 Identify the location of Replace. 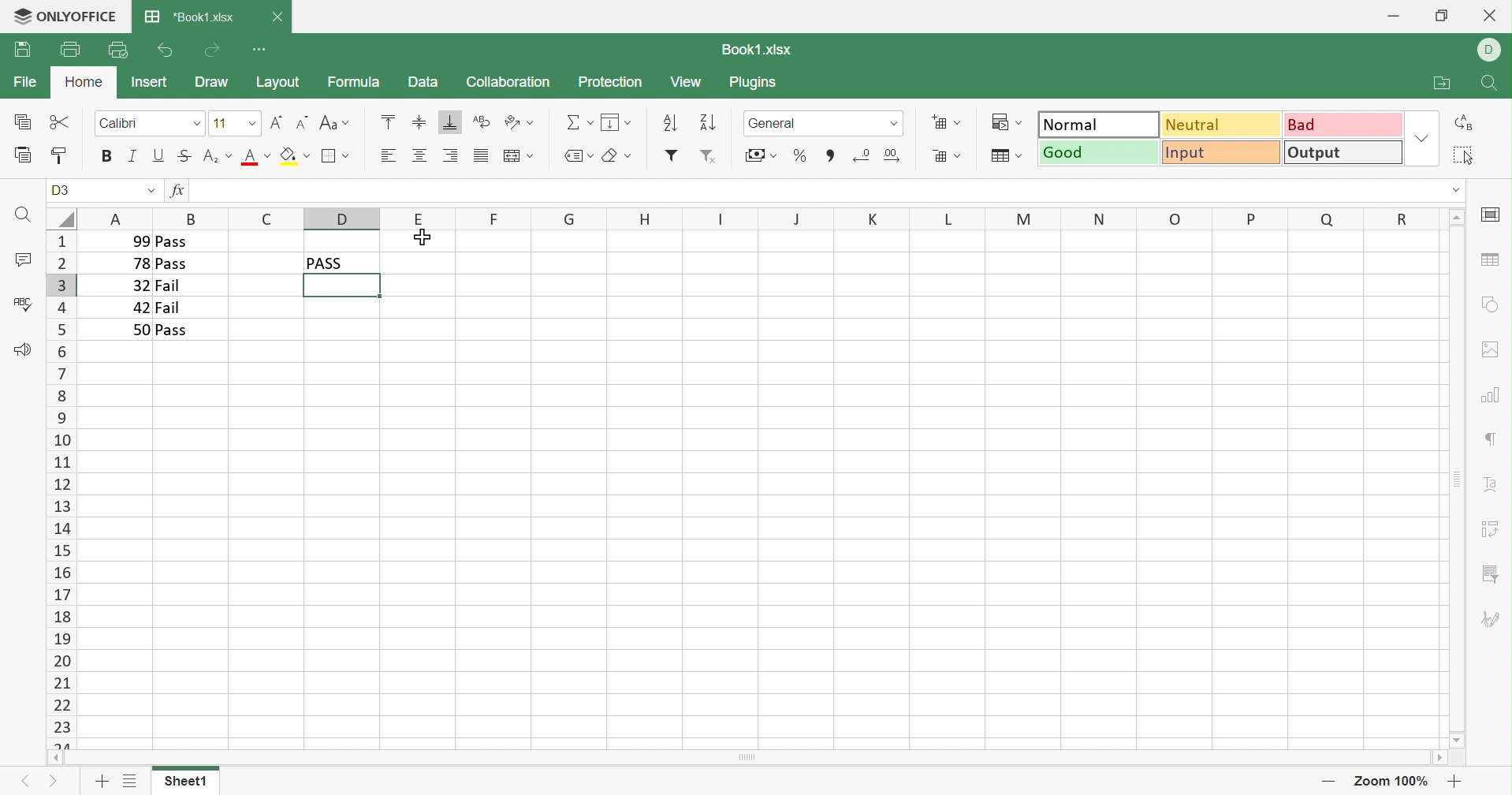
(1465, 123).